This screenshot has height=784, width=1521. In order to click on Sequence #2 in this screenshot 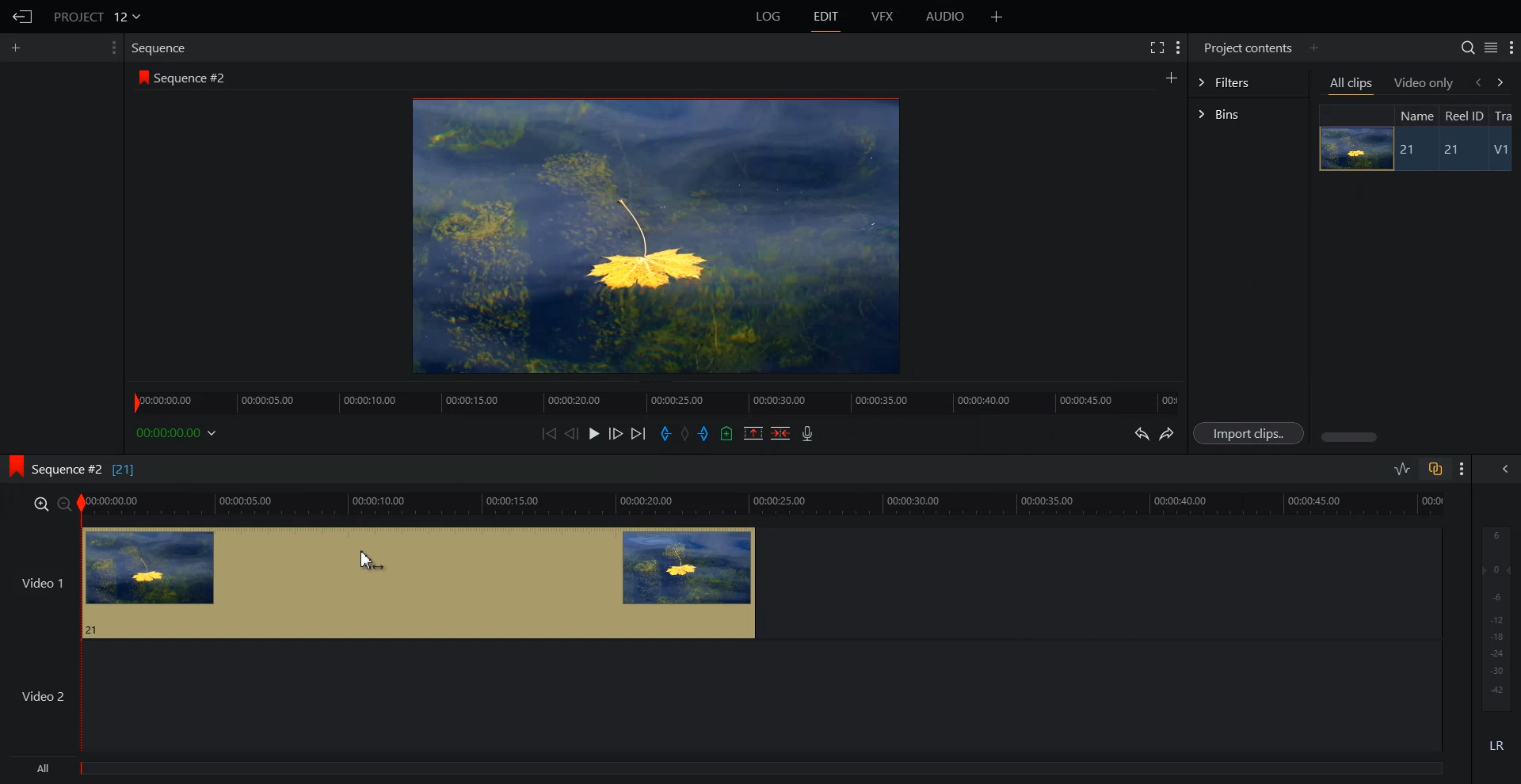, I will do `click(194, 78)`.